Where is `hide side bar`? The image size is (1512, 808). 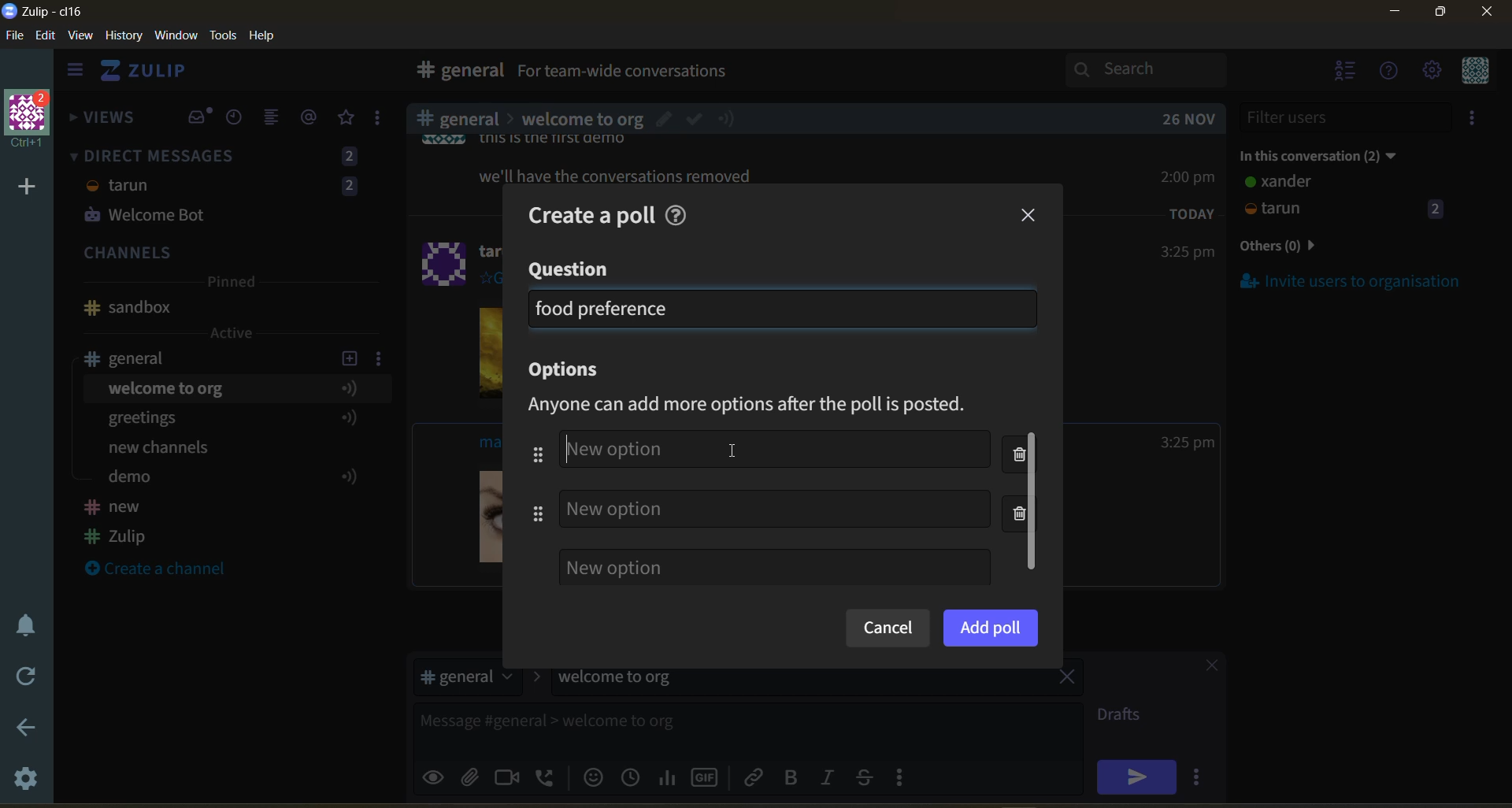 hide side bar is located at coordinates (75, 73).